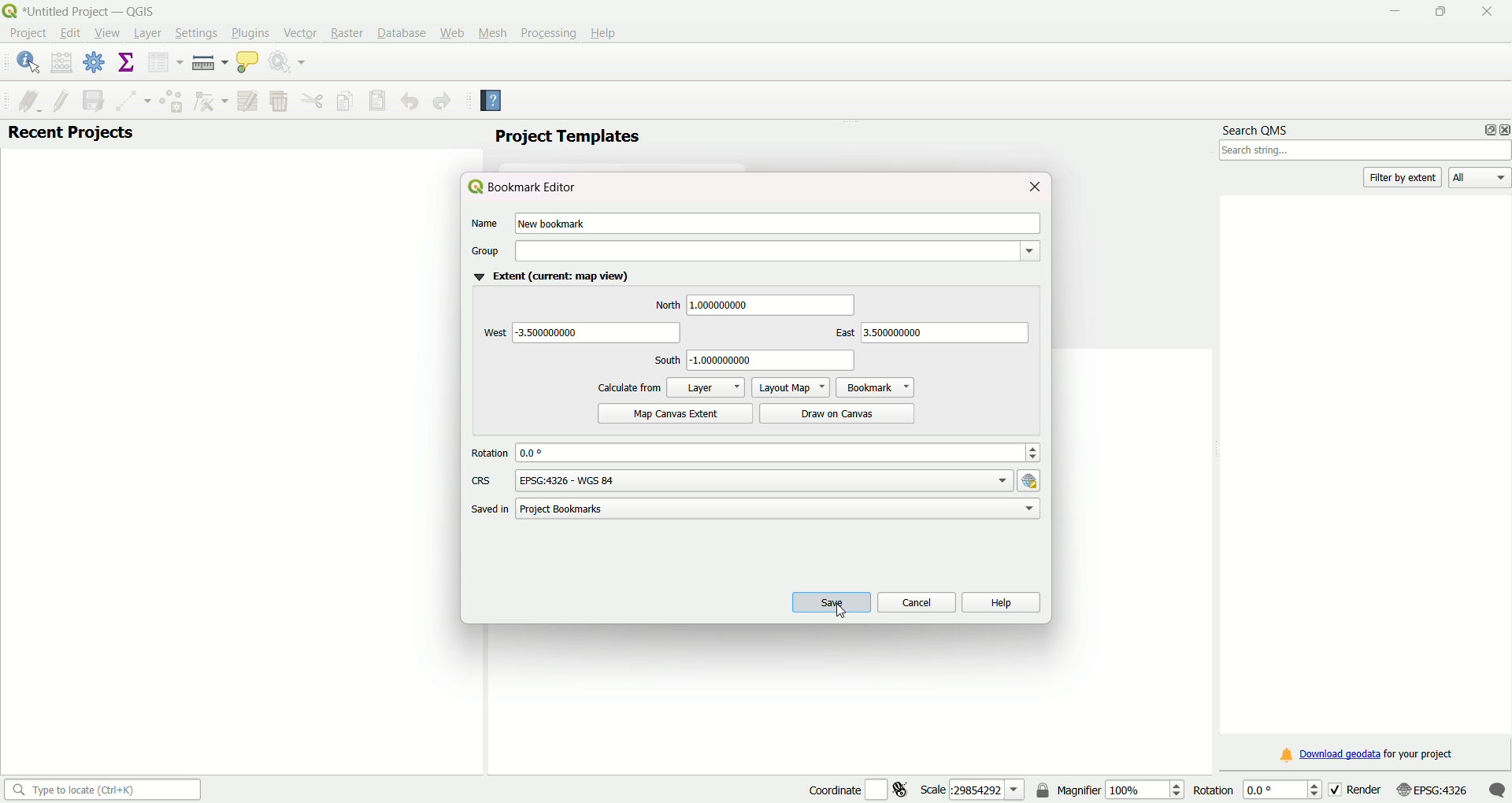 The height and width of the screenshot is (803, 1512). What do you see at coordinates (1368, 756) in the screenshot?
I see `Download geodata for your project` at bounding box center [1368, 756].